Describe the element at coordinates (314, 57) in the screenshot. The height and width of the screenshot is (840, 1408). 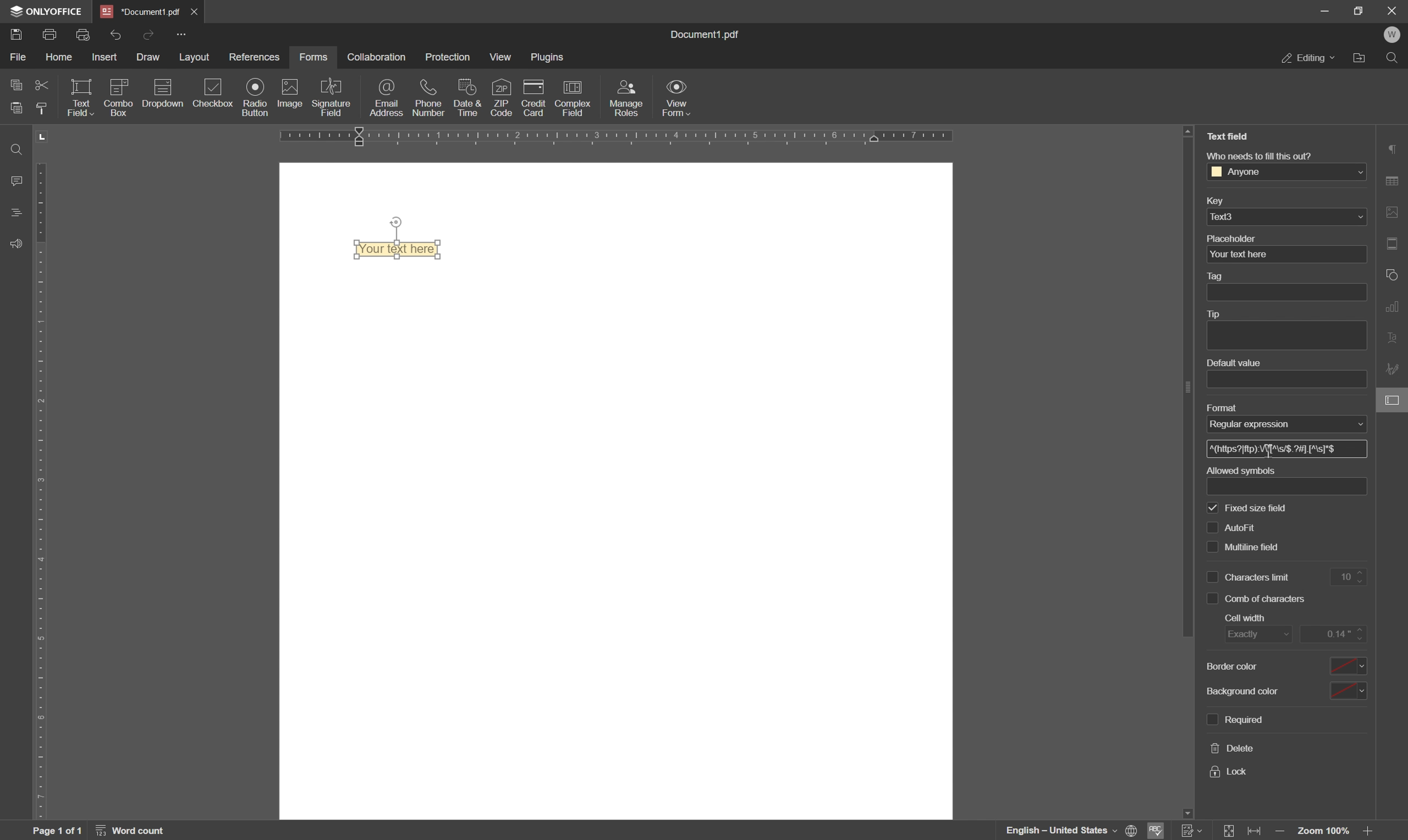
I see `forms` at that location.